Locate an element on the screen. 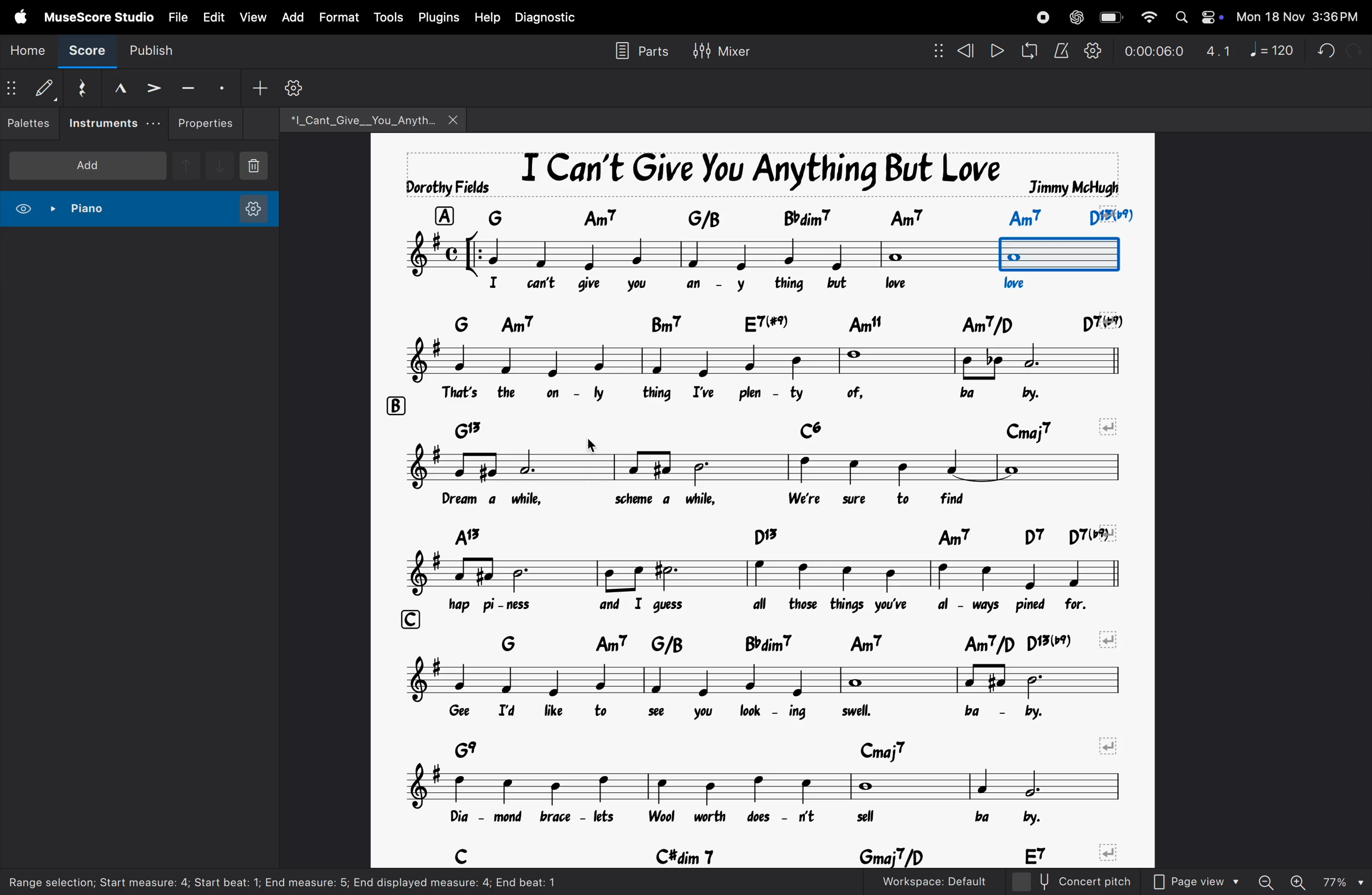 The width and height of the screenshot is (1372, 895). record is located at coordinates (1042, 17).